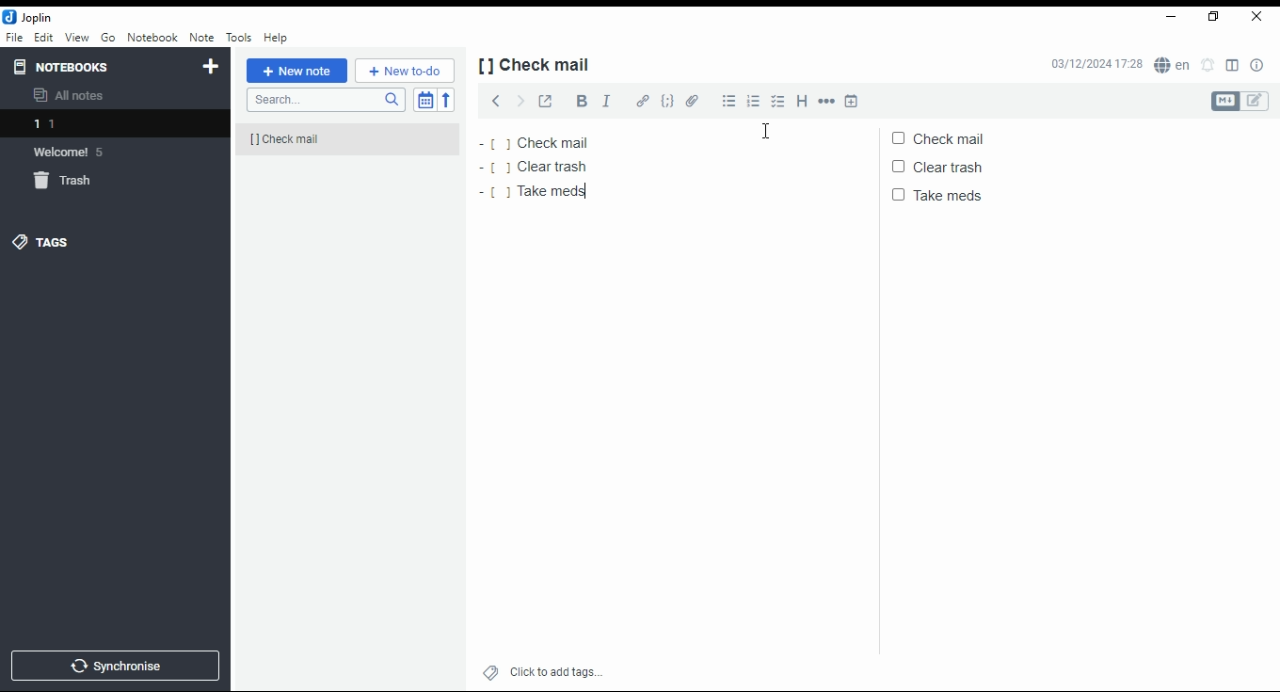 This screenshot has width=1280, height=692. Describe the element at coordinates (52, 247) in the screenshot. I see `tags` at that location.